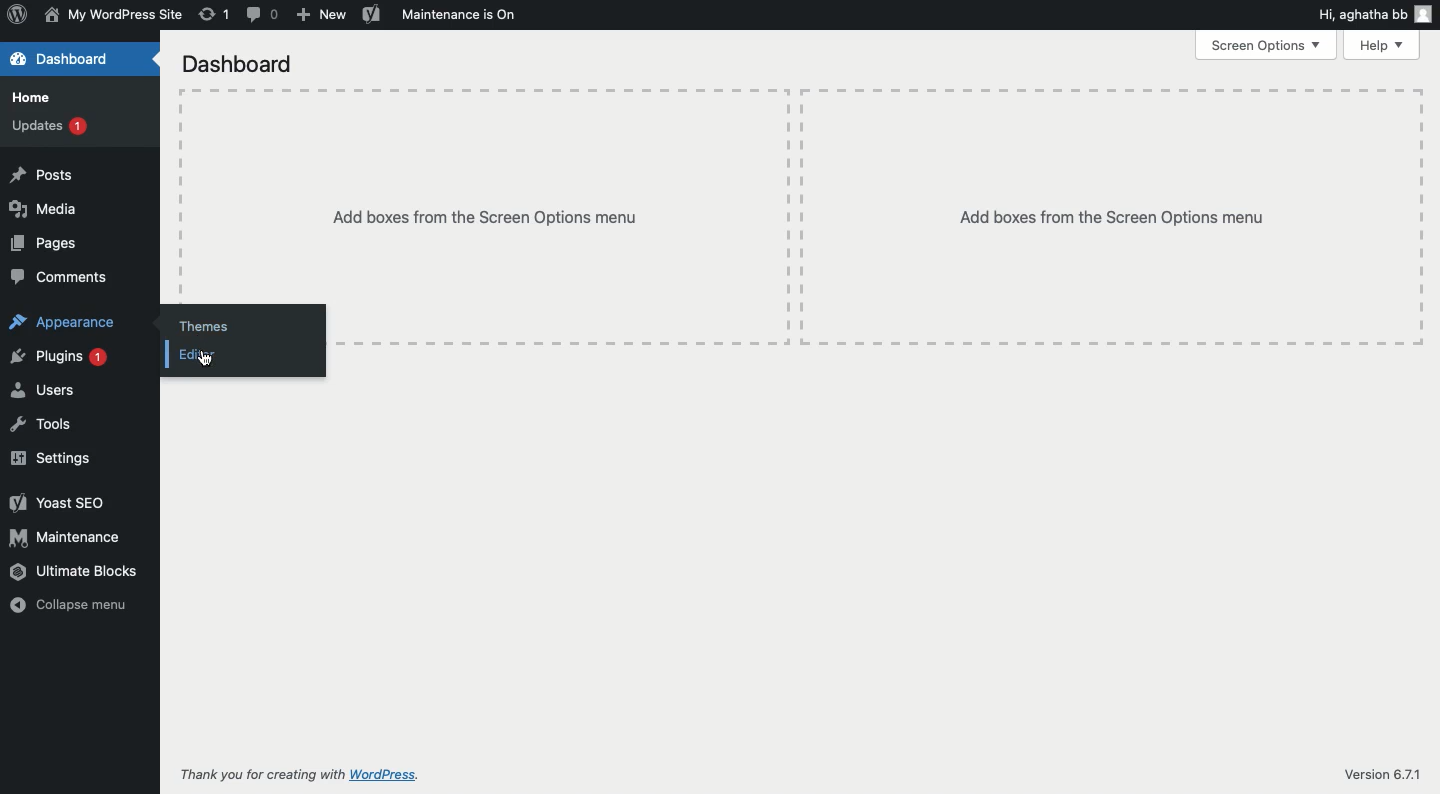 Image resolution: width=1440 pixels, height=794 pixels. What do you see at coordinates (206, 359) in the screenshot?
I see `cursor` at bounding box center [206, 359].